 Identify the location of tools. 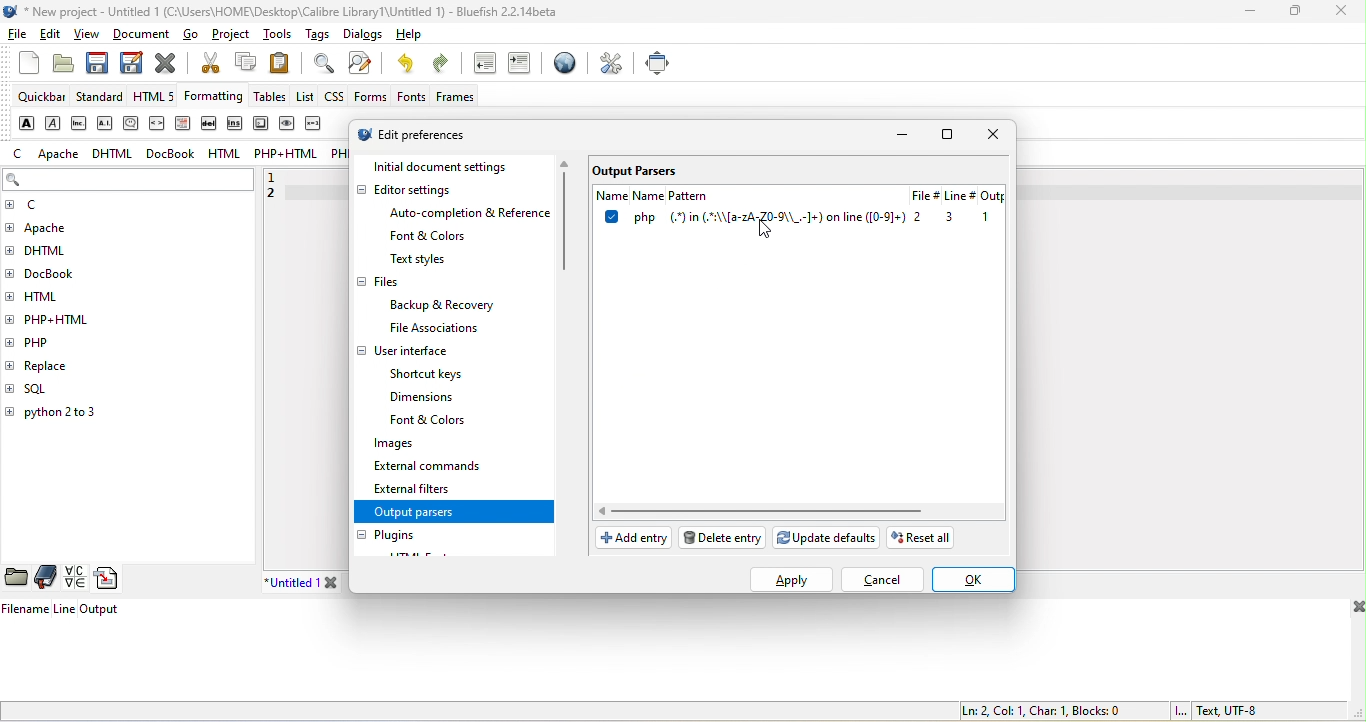
(275, 34).